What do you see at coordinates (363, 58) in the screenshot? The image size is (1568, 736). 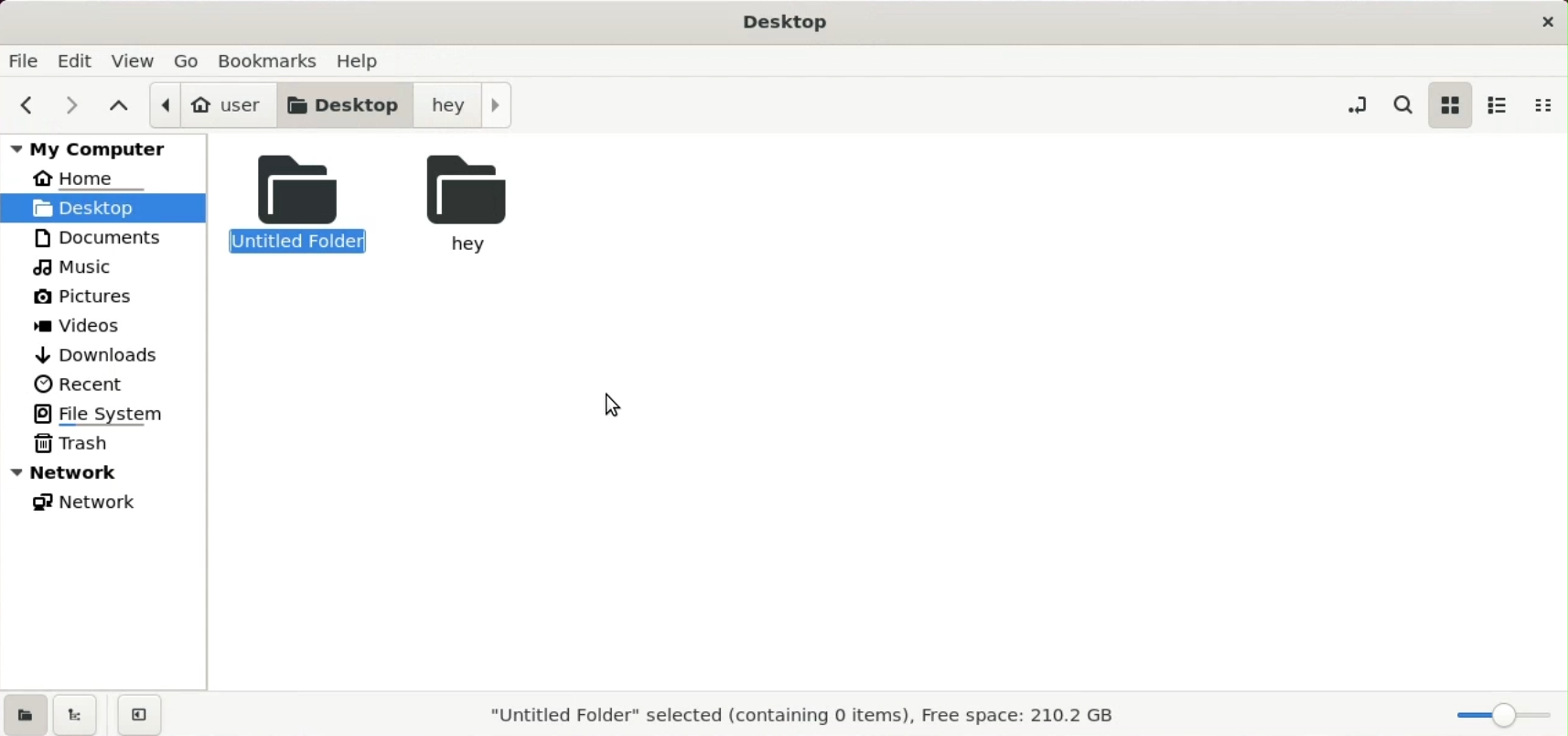 I see `help` at bounding box center [363, 58].